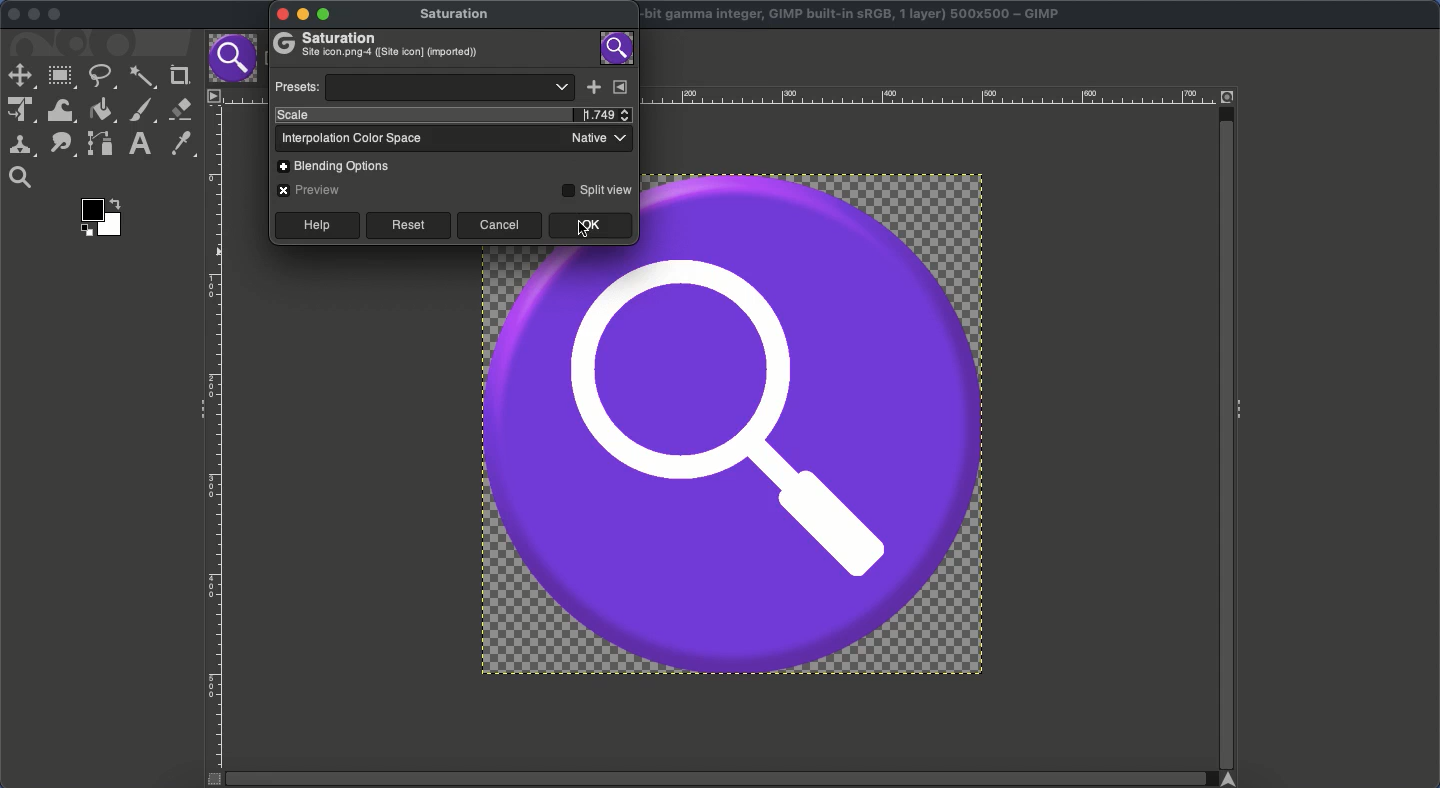 This screenshot has width=1440, height=788. What do you see at coordinates (102, 78) in the screenshot?
I see `Freeform selector` at bounding box center [102, 78].